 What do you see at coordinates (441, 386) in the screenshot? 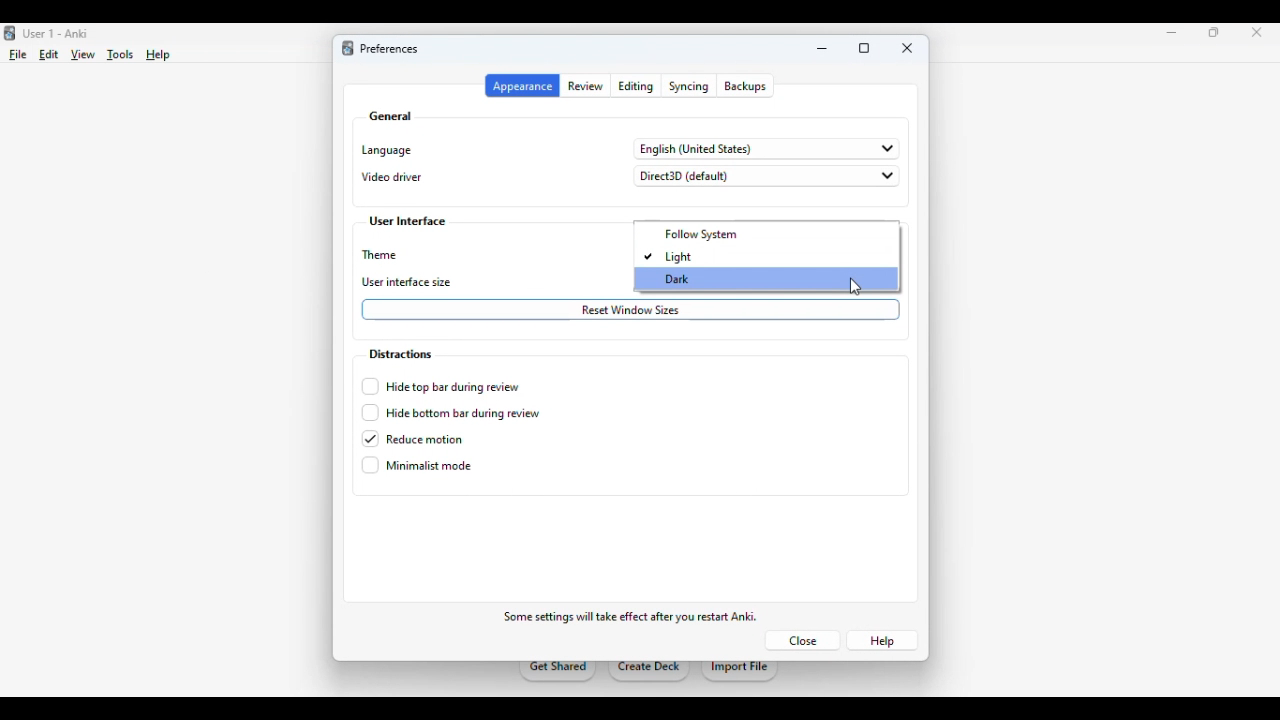
I see `hide top bar during review` at bounding box center [441, 386].